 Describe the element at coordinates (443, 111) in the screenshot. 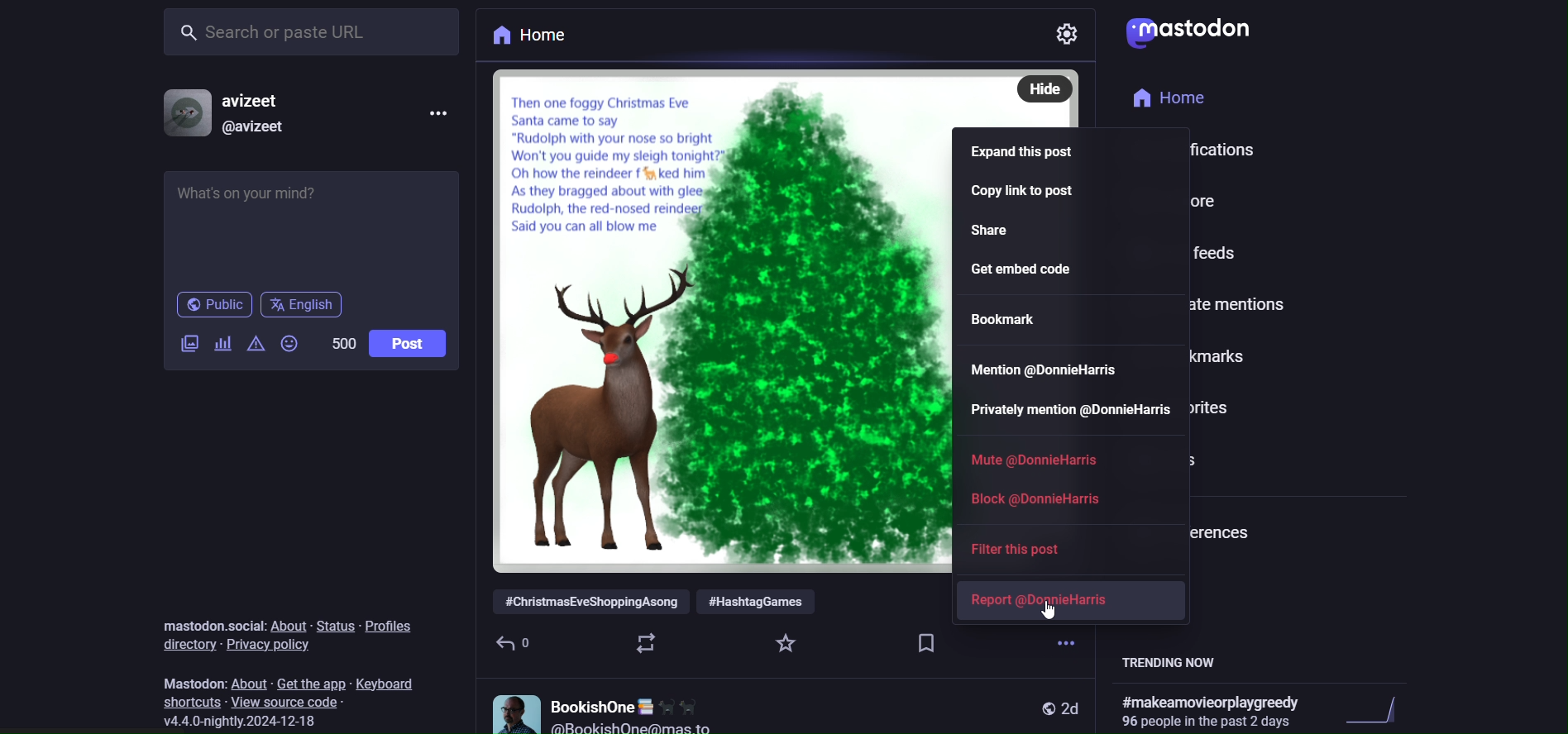

I see `more` at that location.